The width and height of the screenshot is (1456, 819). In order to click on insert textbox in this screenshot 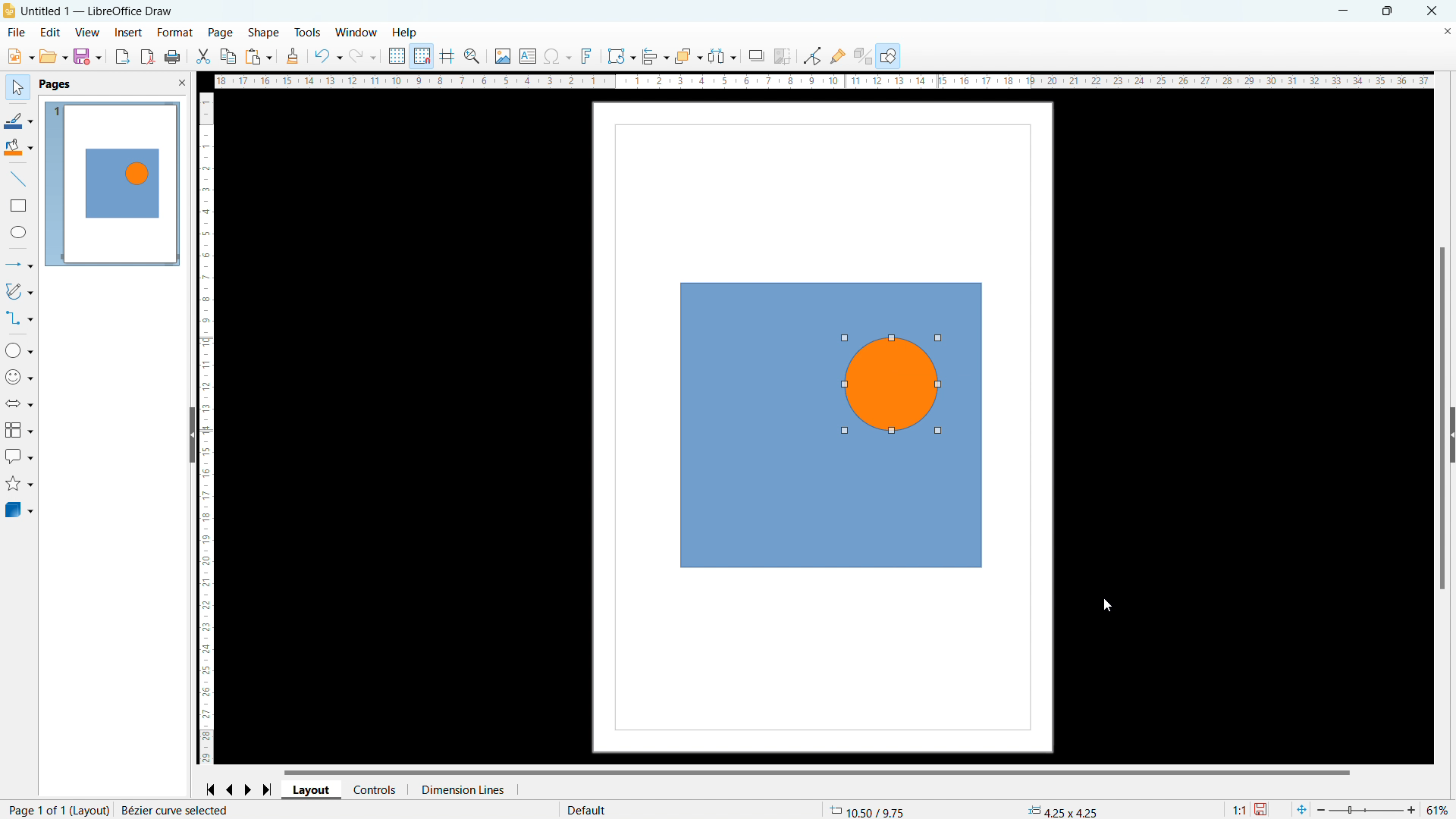, I will do `click(528, 57)`.